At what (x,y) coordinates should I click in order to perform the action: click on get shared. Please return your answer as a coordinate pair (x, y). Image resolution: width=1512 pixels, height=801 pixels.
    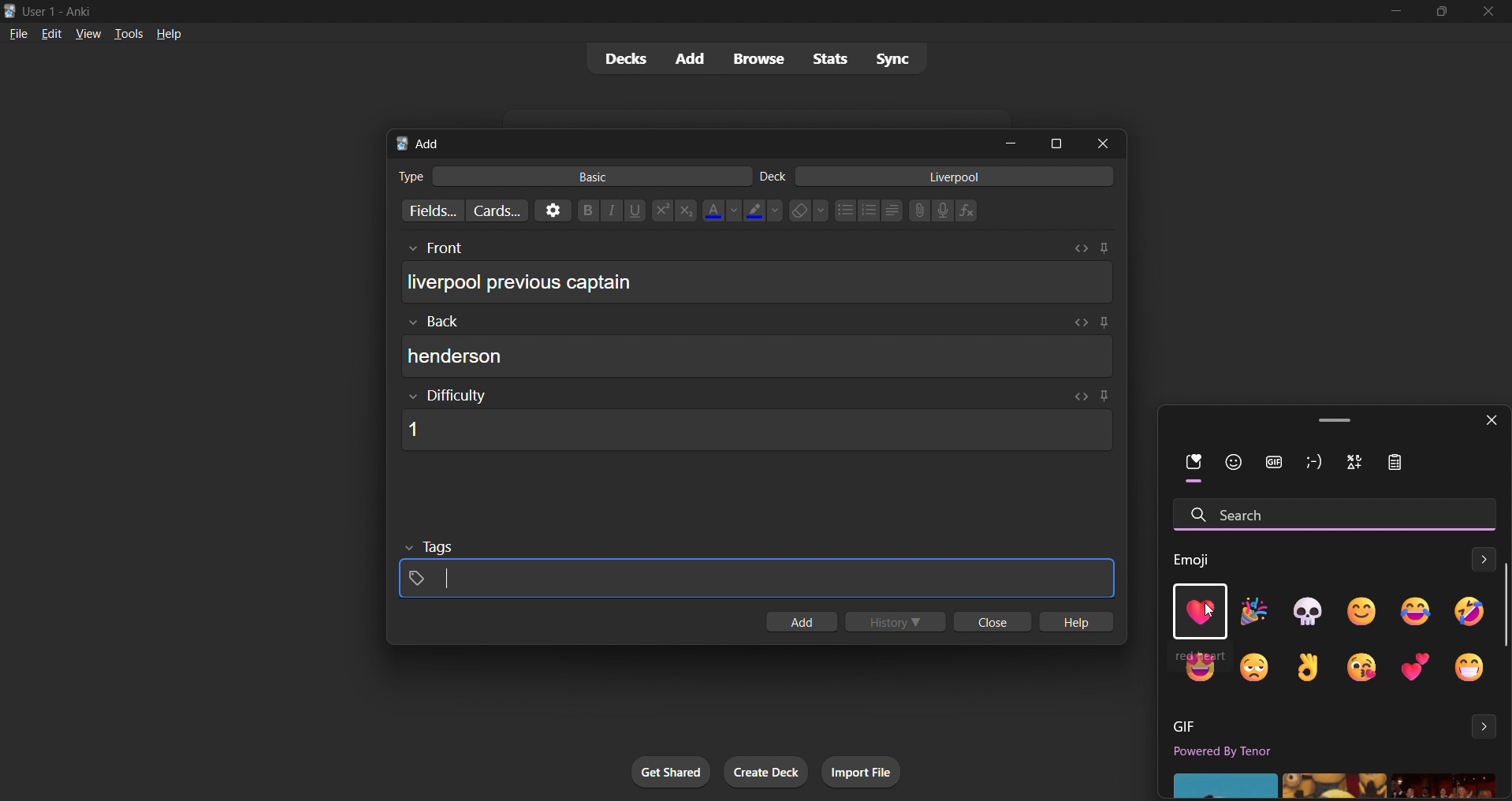
    Looking at the image, I should click on (672, 773).